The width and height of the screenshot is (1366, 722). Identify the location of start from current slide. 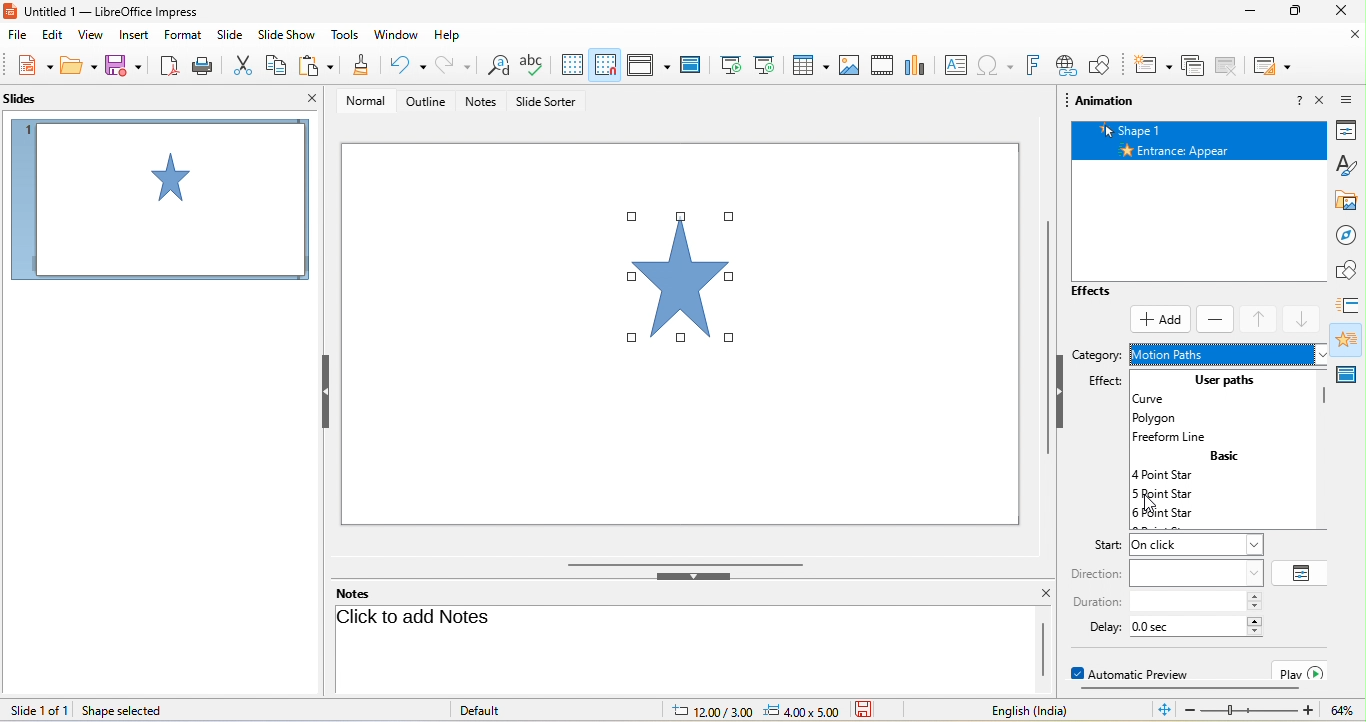
(765, 65).